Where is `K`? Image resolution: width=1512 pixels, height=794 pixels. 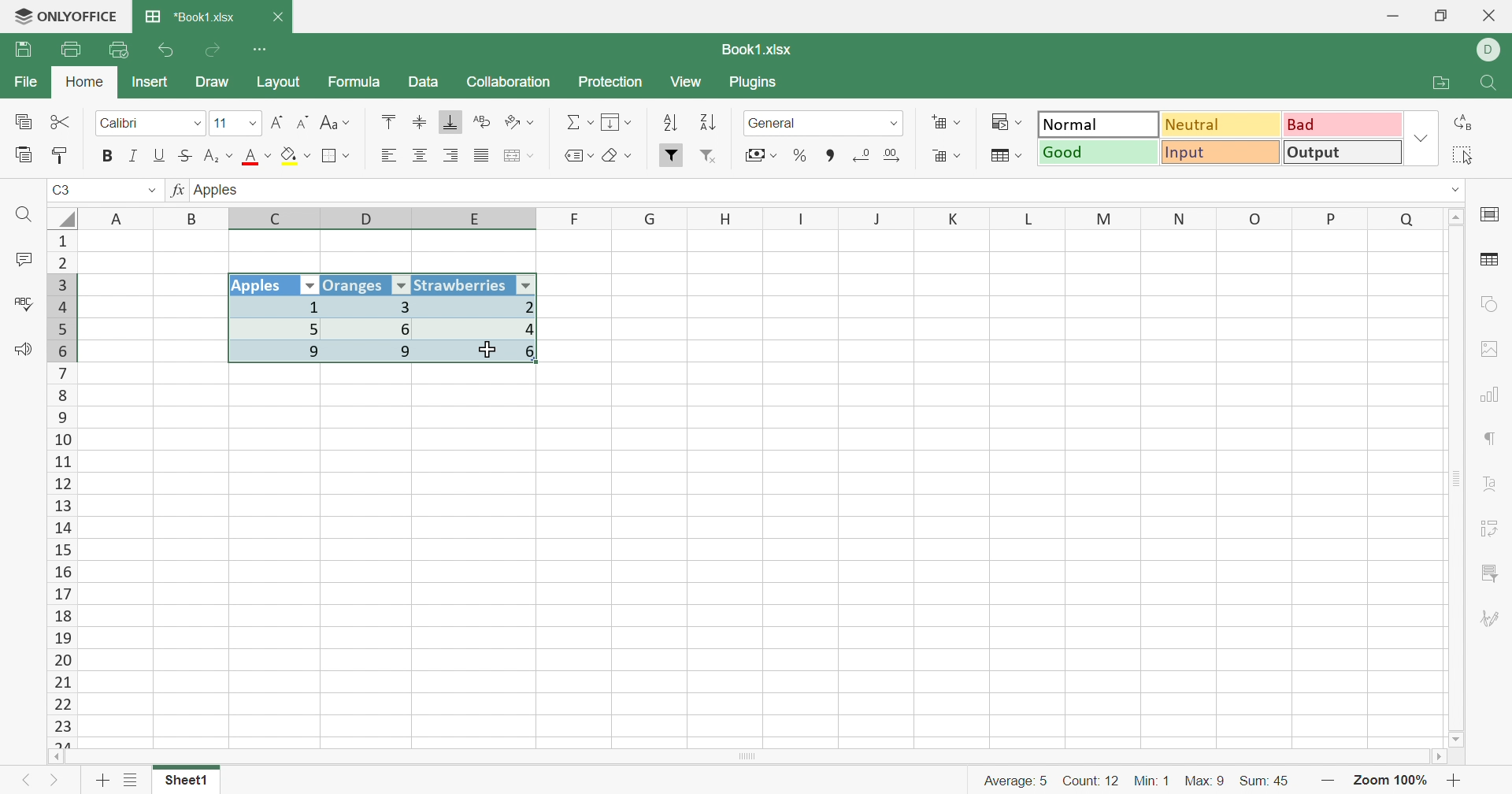 K is located at coordinates (954, 220).